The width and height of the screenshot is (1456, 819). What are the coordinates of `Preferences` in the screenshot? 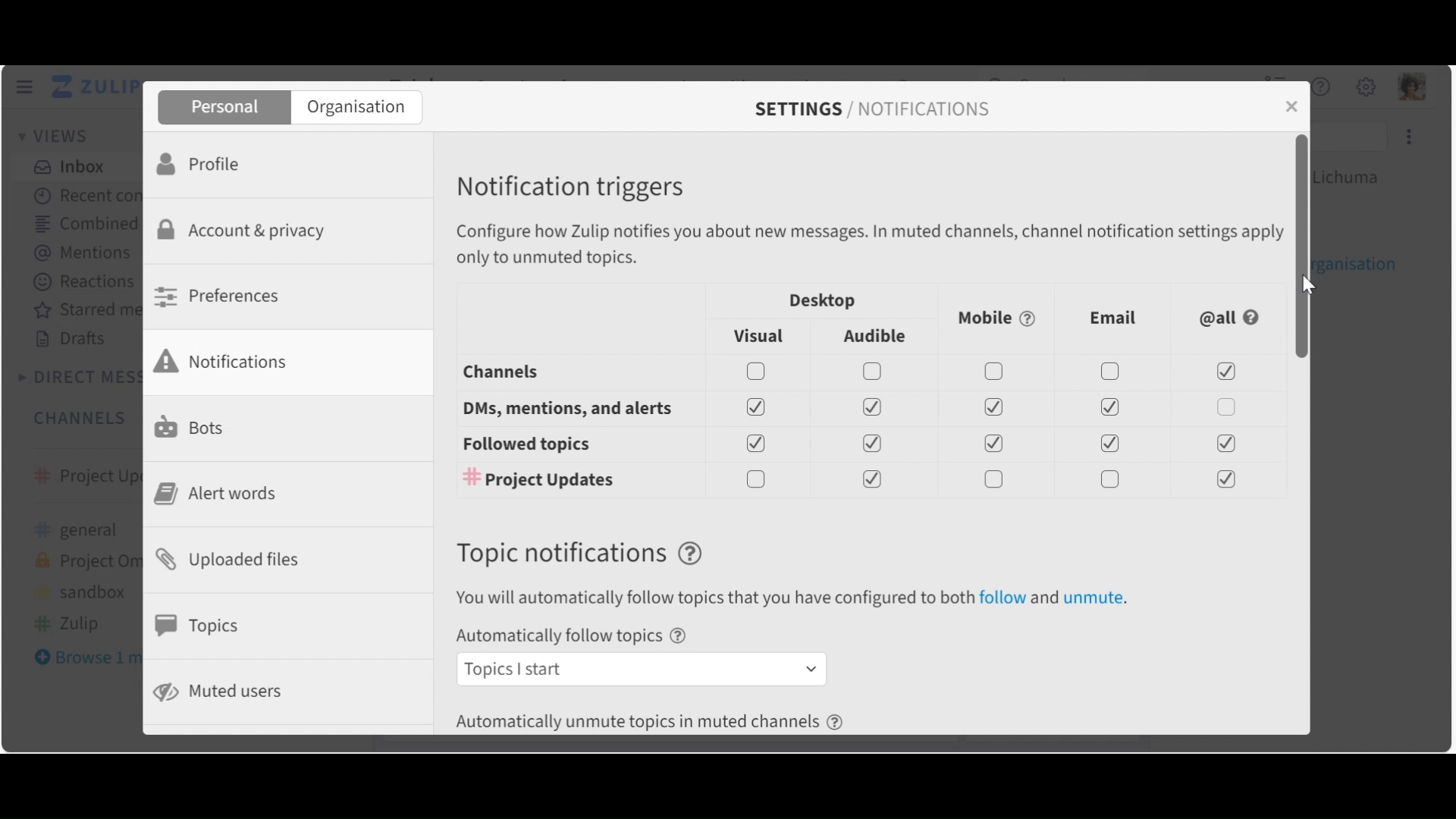 It's located at (221, 296).